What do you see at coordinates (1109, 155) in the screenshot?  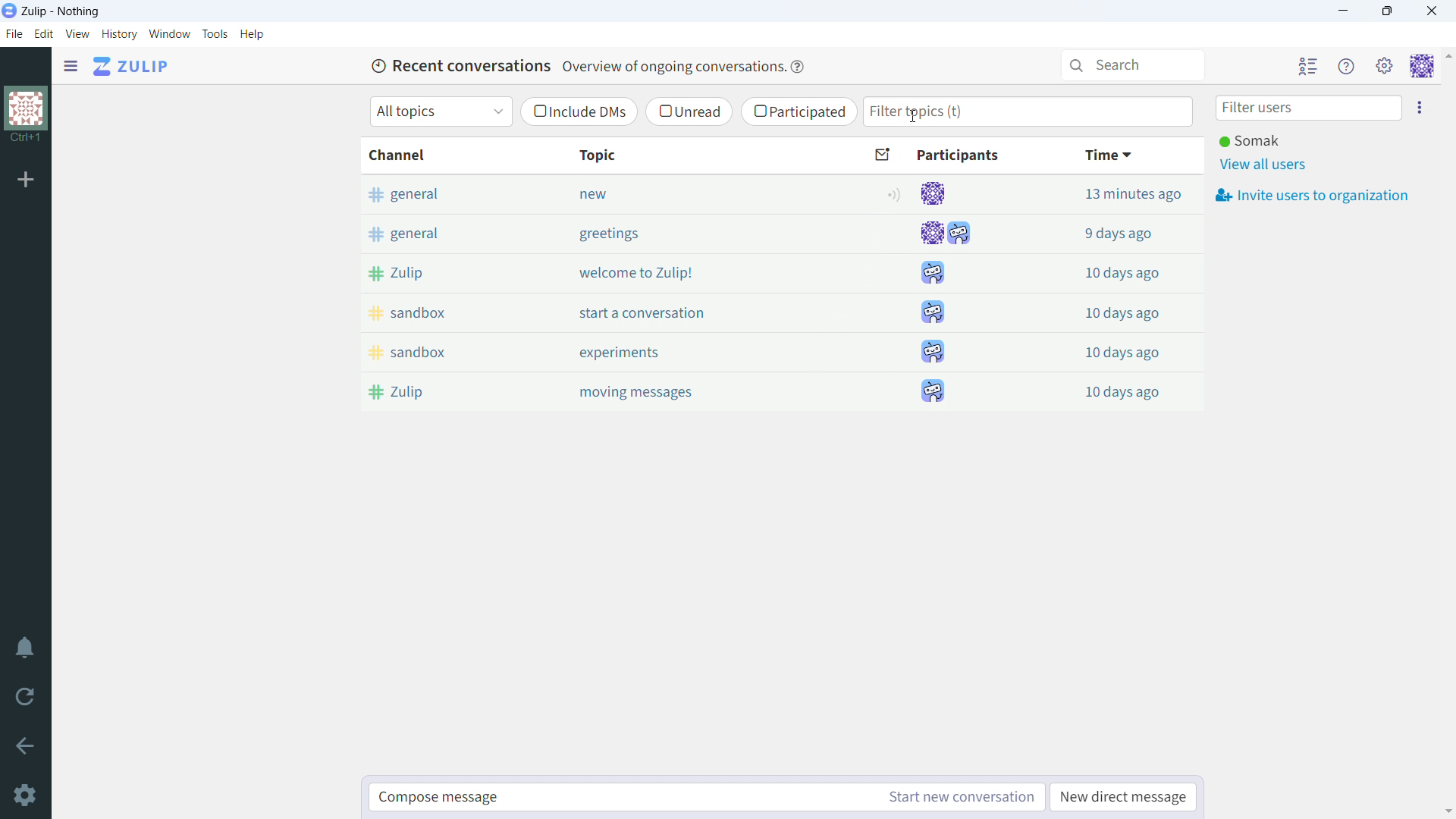 I see `time` at bounding box center [1109, 155].